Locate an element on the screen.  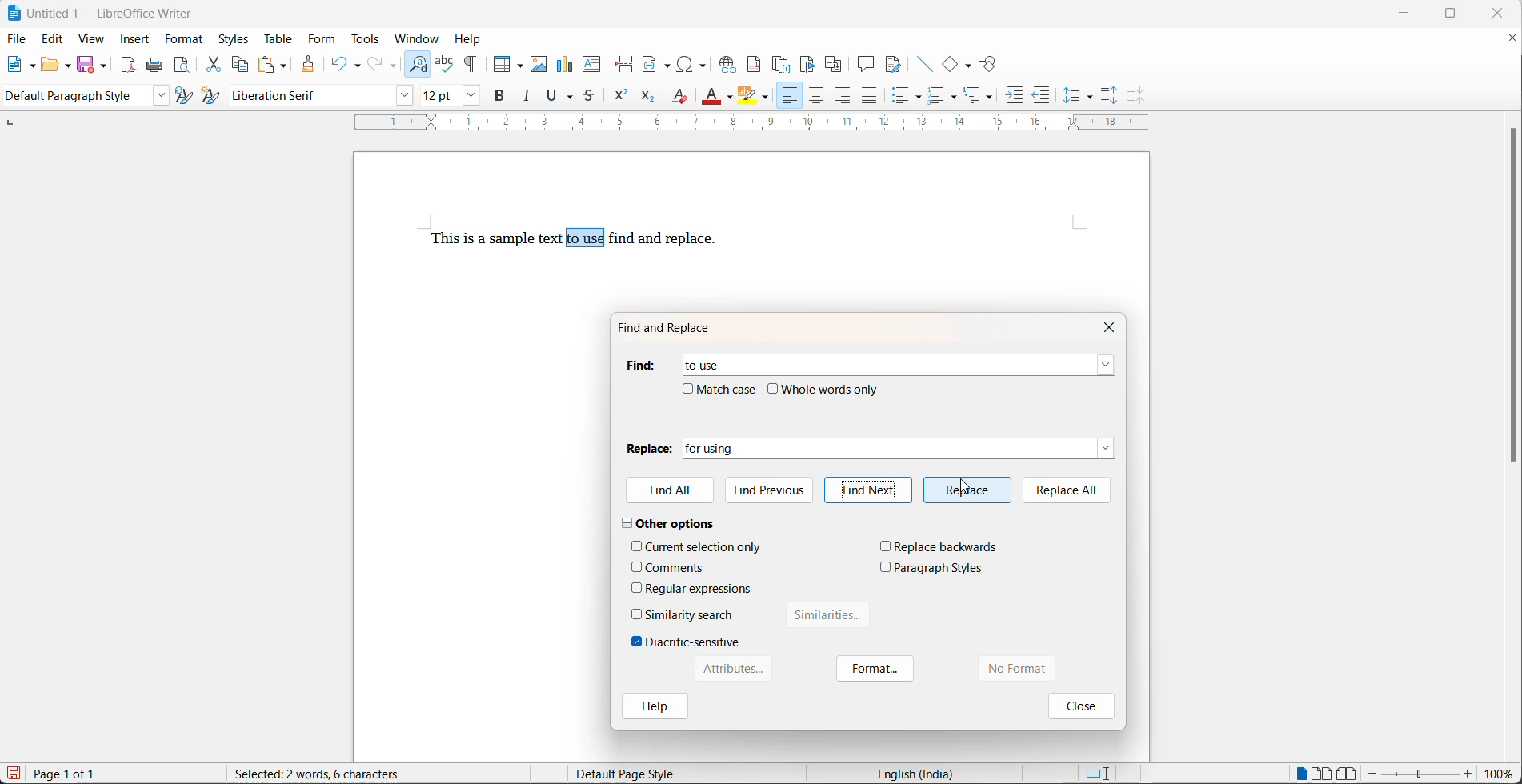
other options is located at coordinates (669, 522).